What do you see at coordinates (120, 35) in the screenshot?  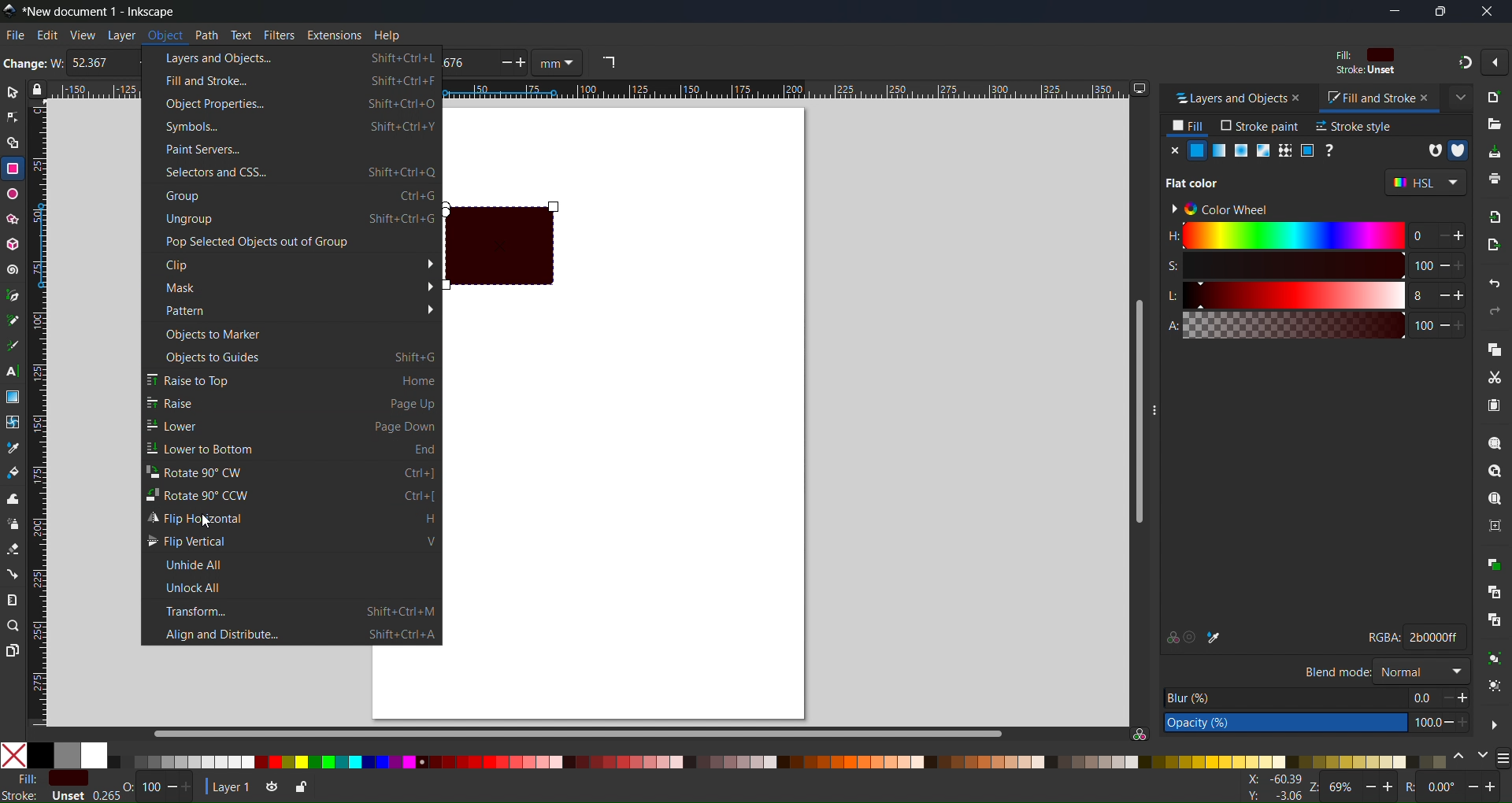 I see `Layer` at bounding box center [120, 35].